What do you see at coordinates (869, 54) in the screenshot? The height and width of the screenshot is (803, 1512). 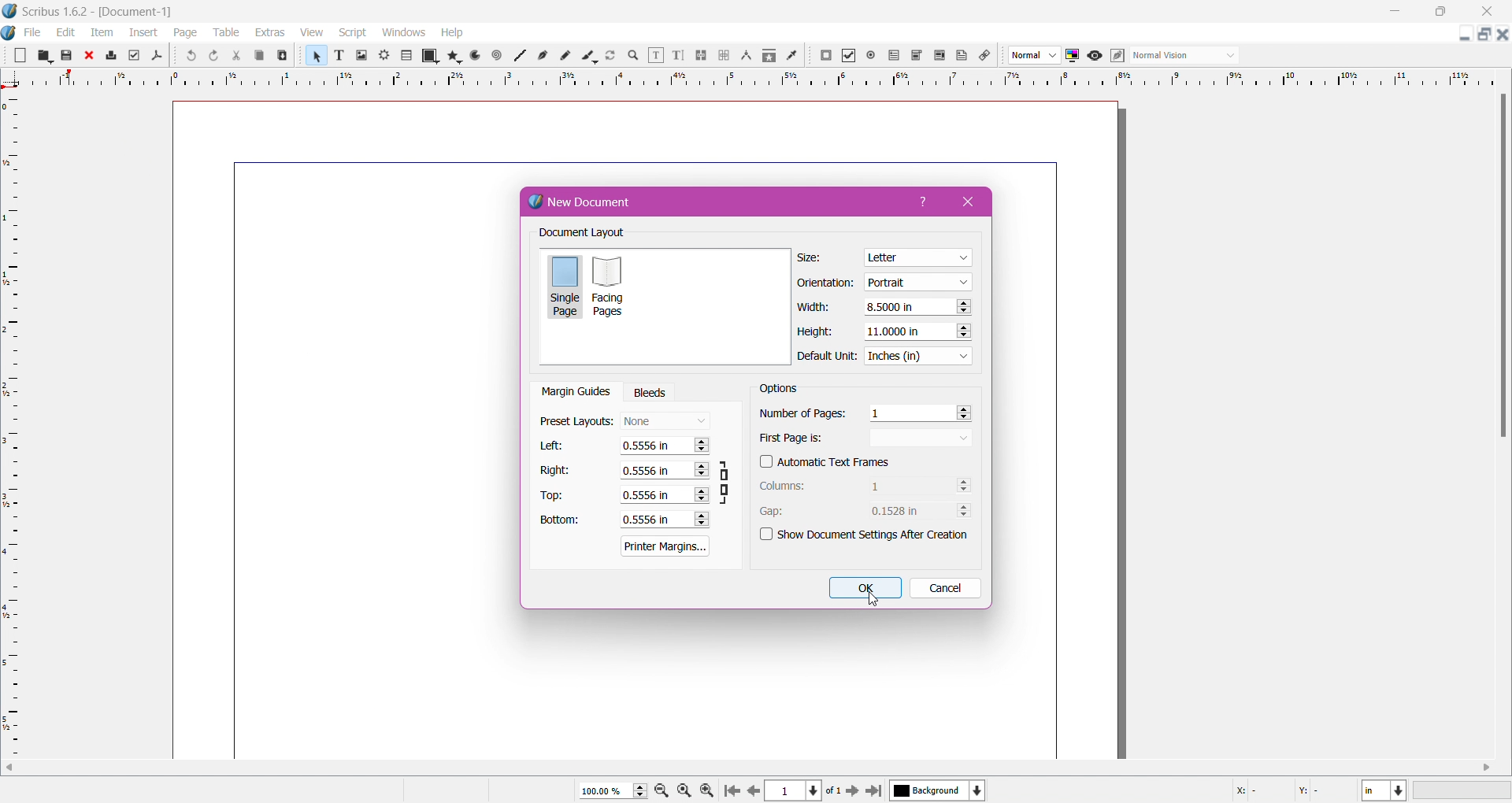 I see `icon` at bounding box center [869, 54].